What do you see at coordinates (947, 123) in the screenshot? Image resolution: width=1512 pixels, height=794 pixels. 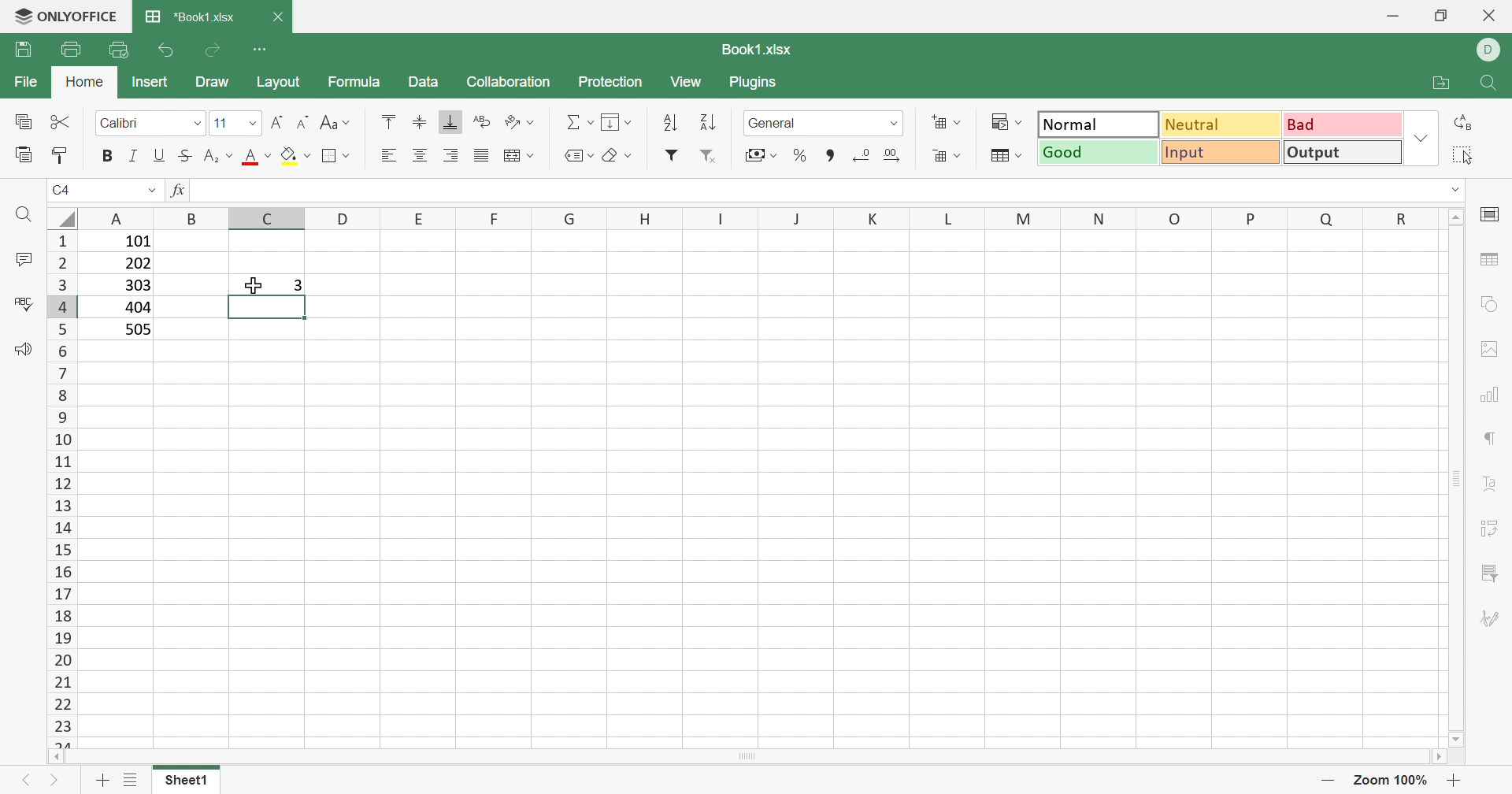 I see `Insert cells` at bounding box center [947, 123].